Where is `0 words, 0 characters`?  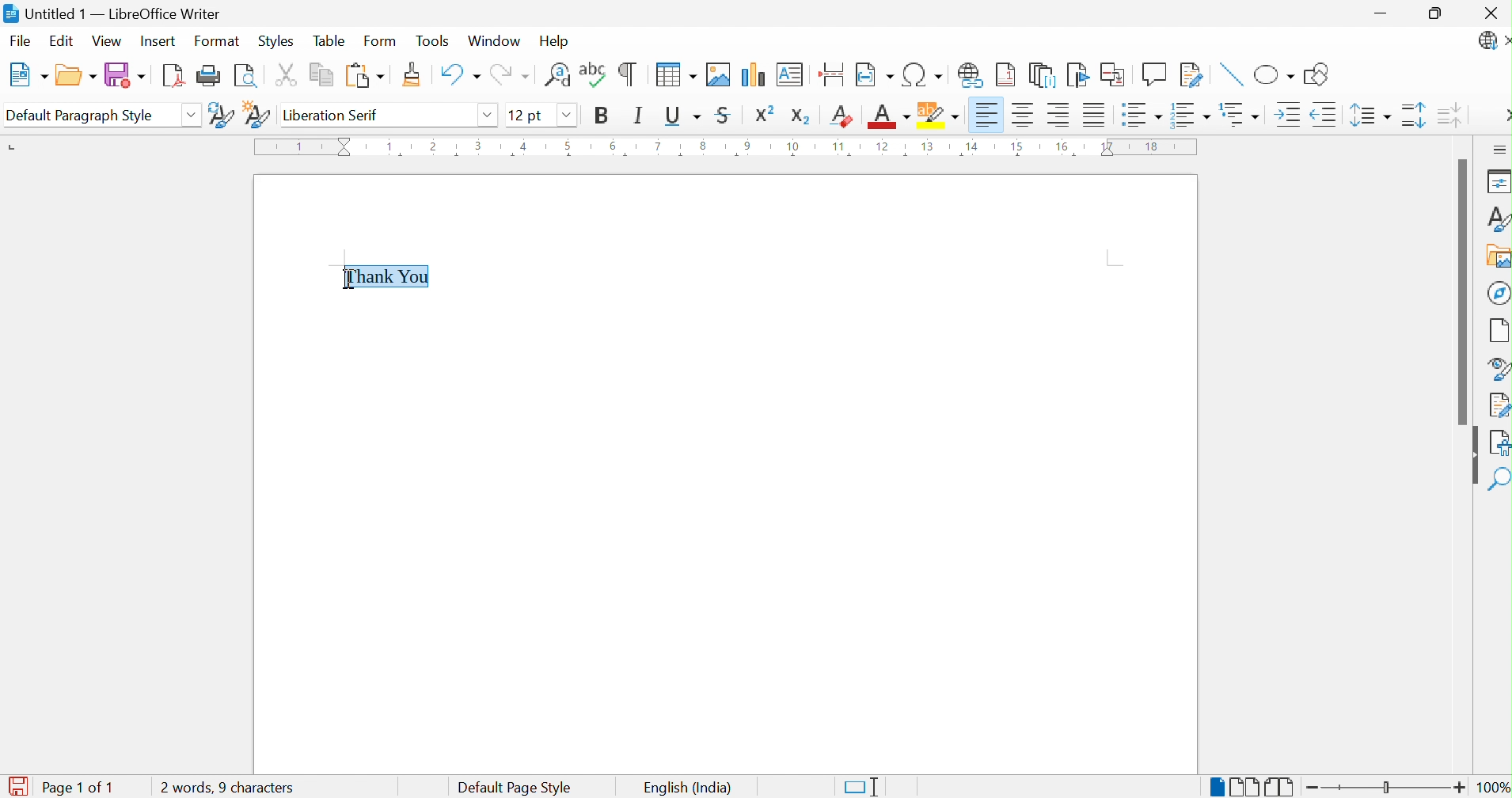 0 words, 0 characters is located at coordinates (227, 788).